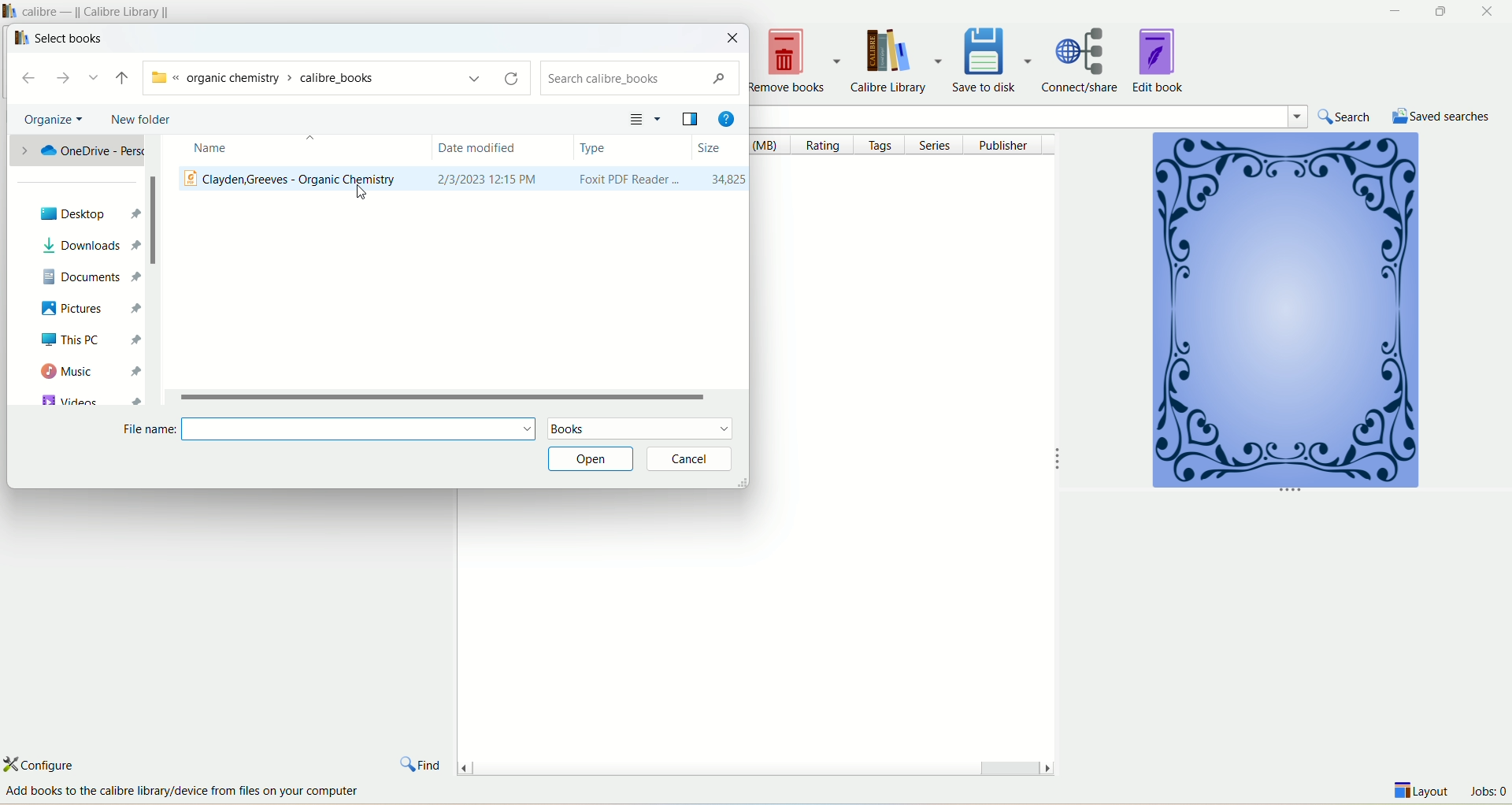 The width and height of the screenshot is (1512, 805). I want to click on file name, so click(325, 429).